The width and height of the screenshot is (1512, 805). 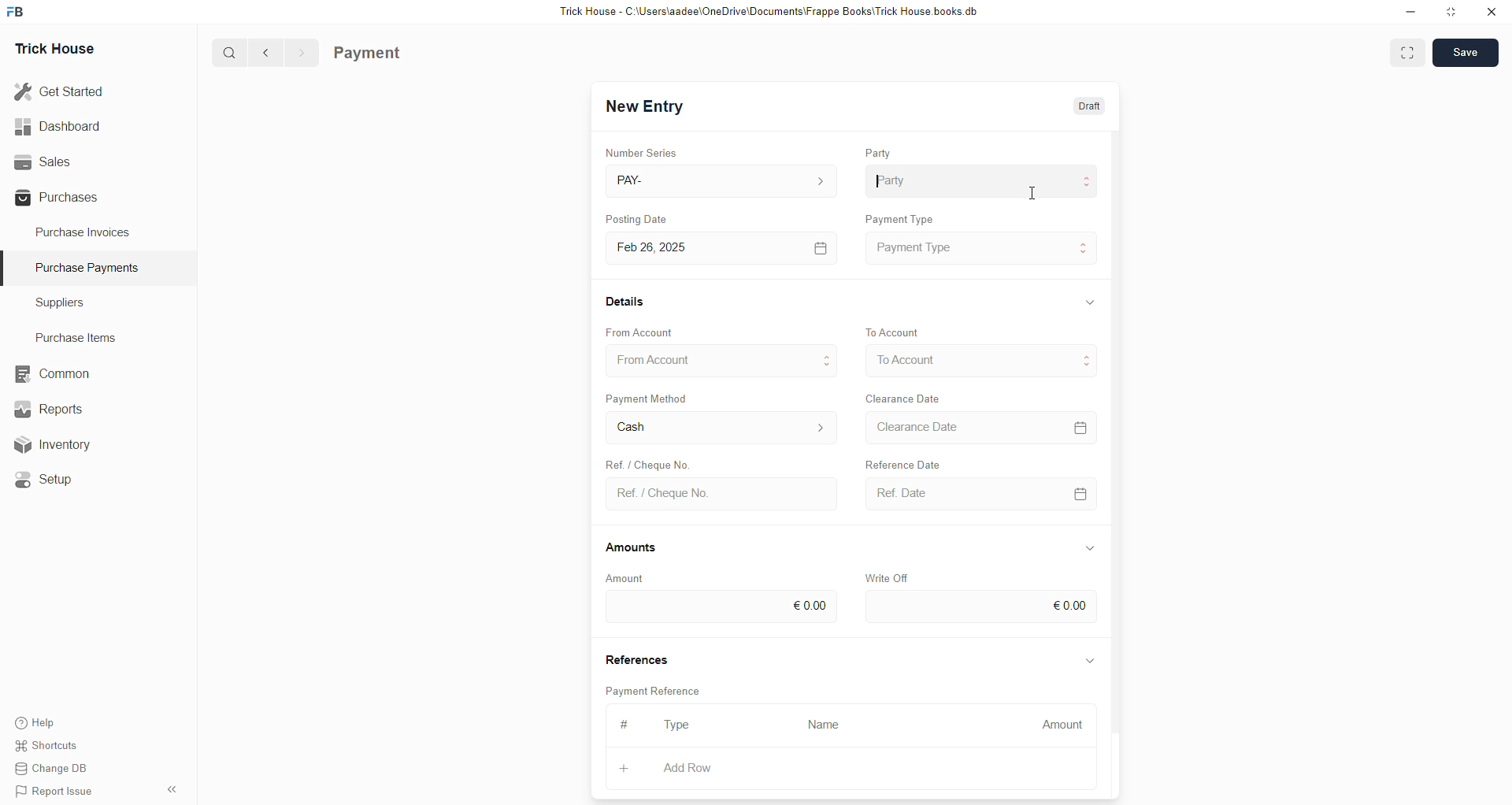 I want to click on Clearance Date , so click(x=978, y=426).